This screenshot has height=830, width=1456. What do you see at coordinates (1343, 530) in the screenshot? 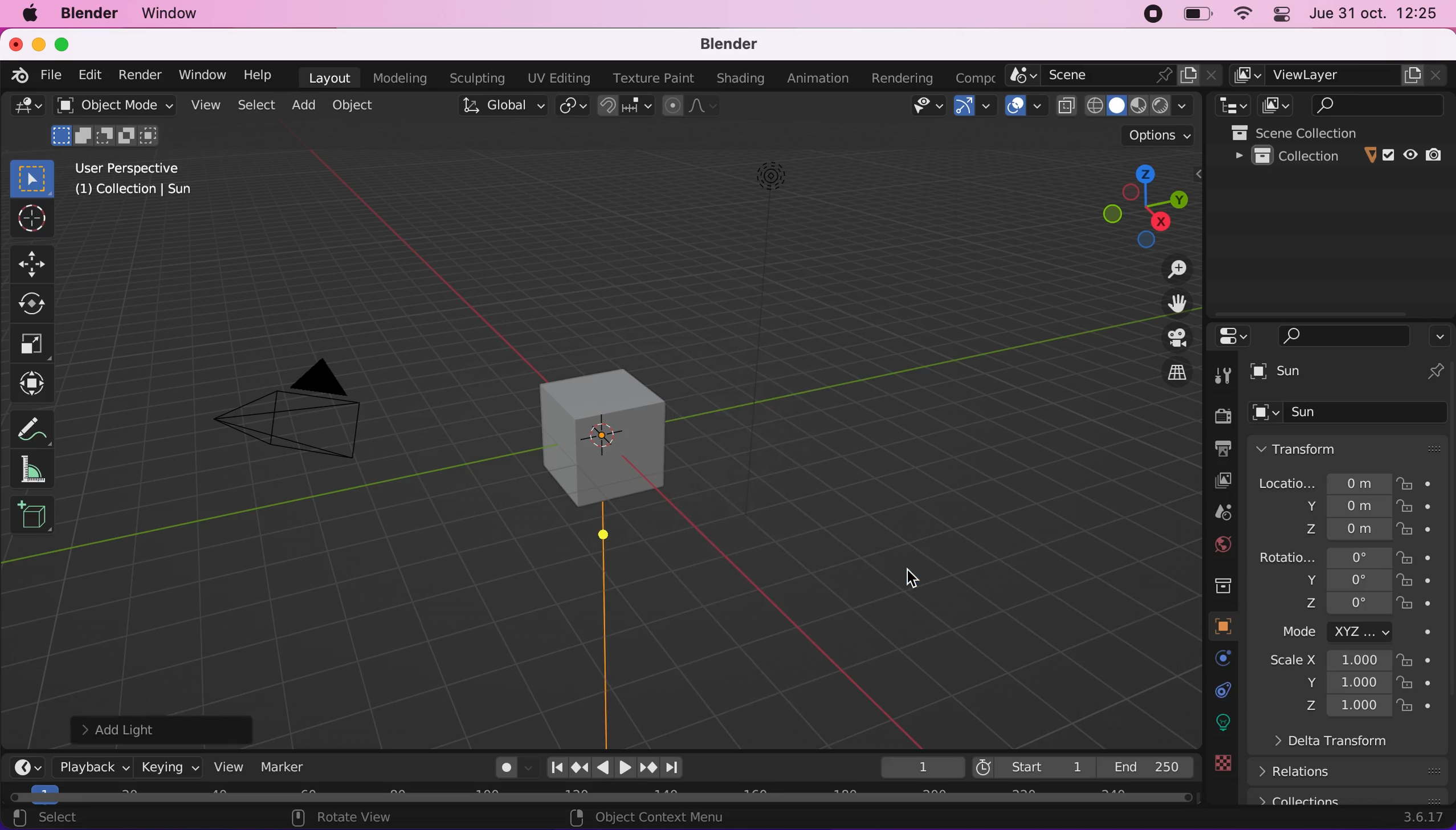
I see `z 0m` at bounding box center [1343, 530].